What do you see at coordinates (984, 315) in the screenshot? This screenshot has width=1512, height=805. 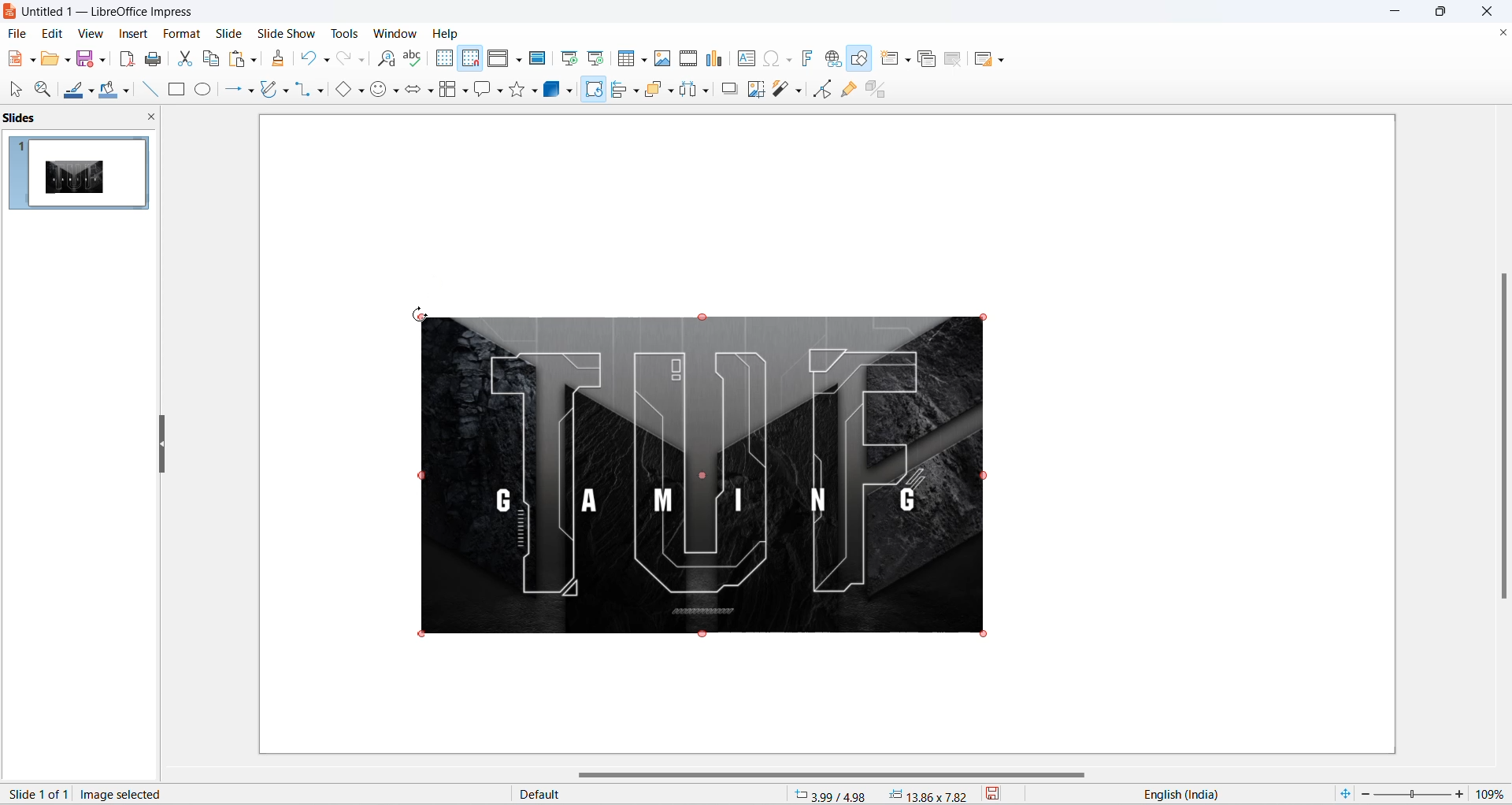 I see `image selection markup` at bounding box center [984, 315].